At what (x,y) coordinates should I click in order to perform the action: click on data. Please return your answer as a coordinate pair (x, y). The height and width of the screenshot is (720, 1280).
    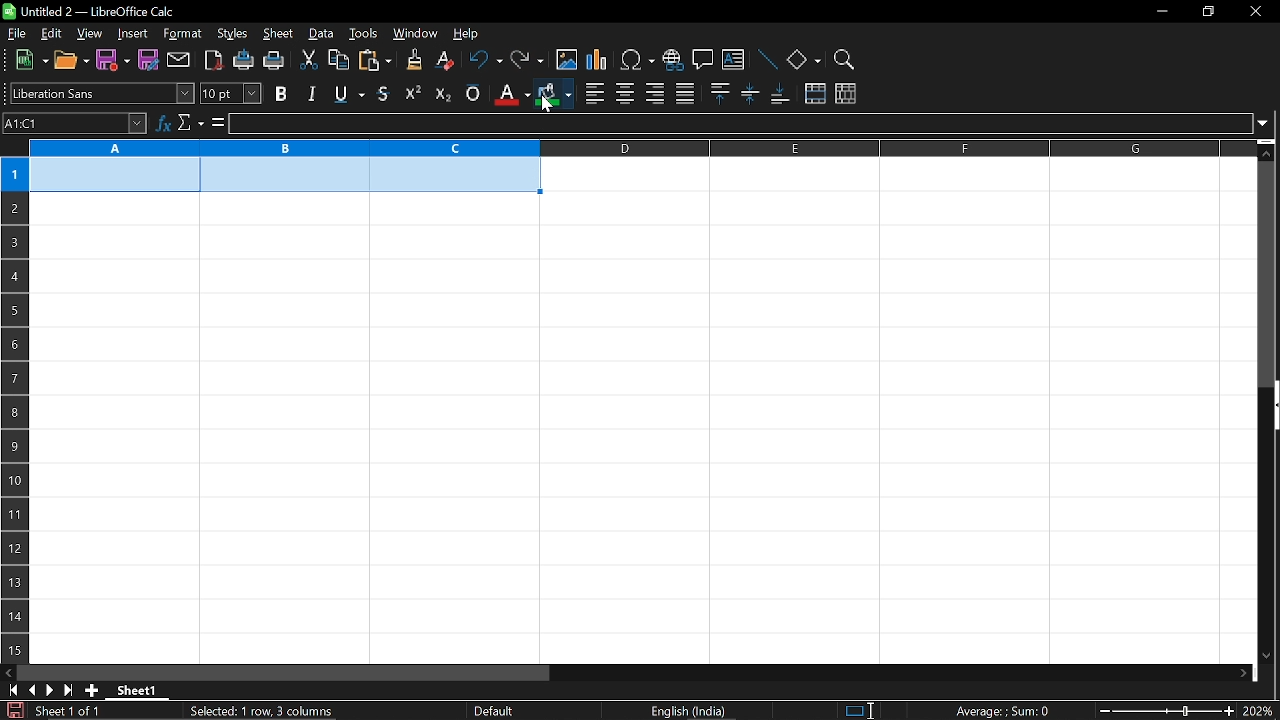
    Looking at the image, I should click on (322, 35).